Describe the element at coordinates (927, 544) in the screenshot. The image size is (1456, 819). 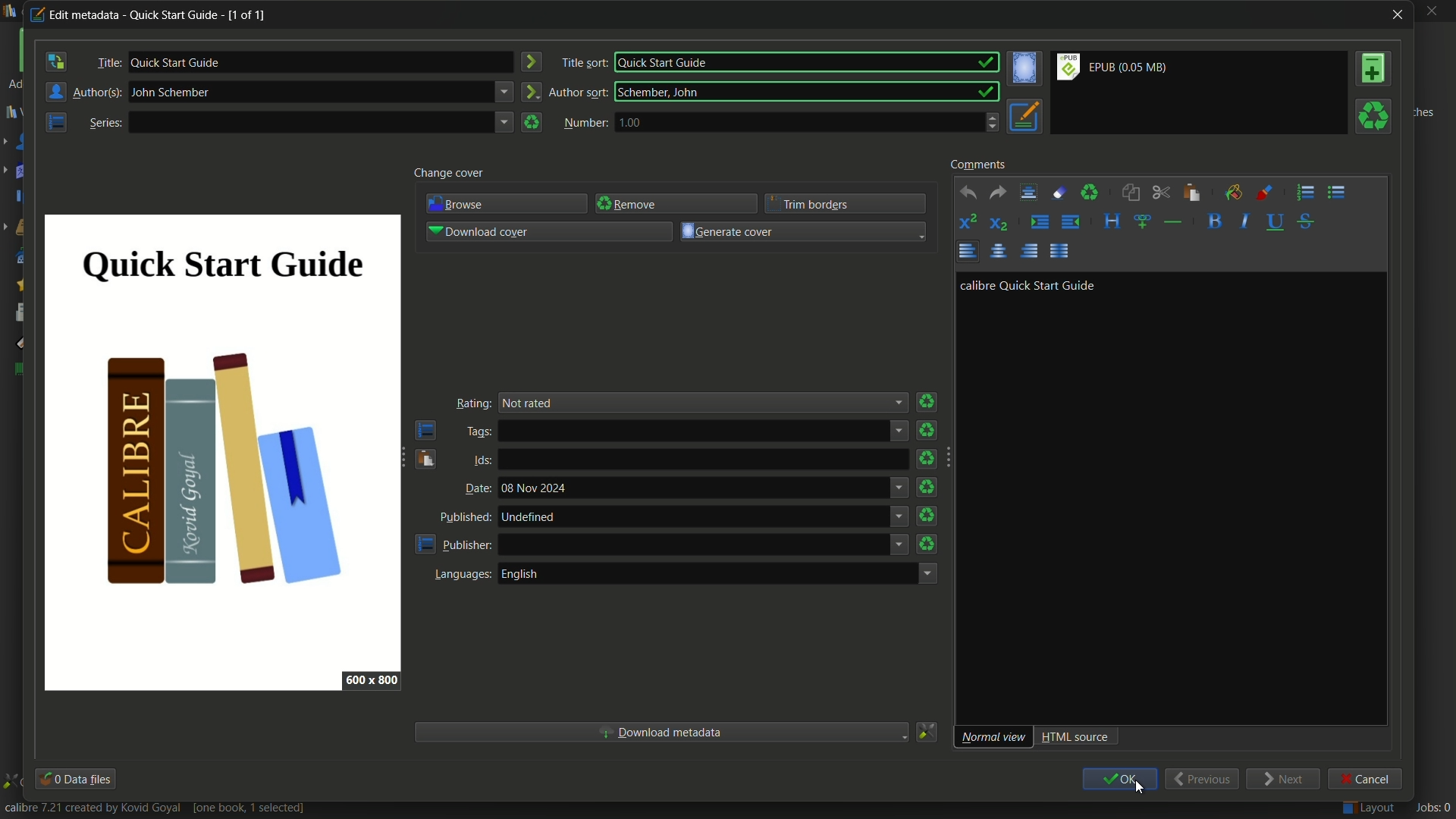
I see `remove` at that location.